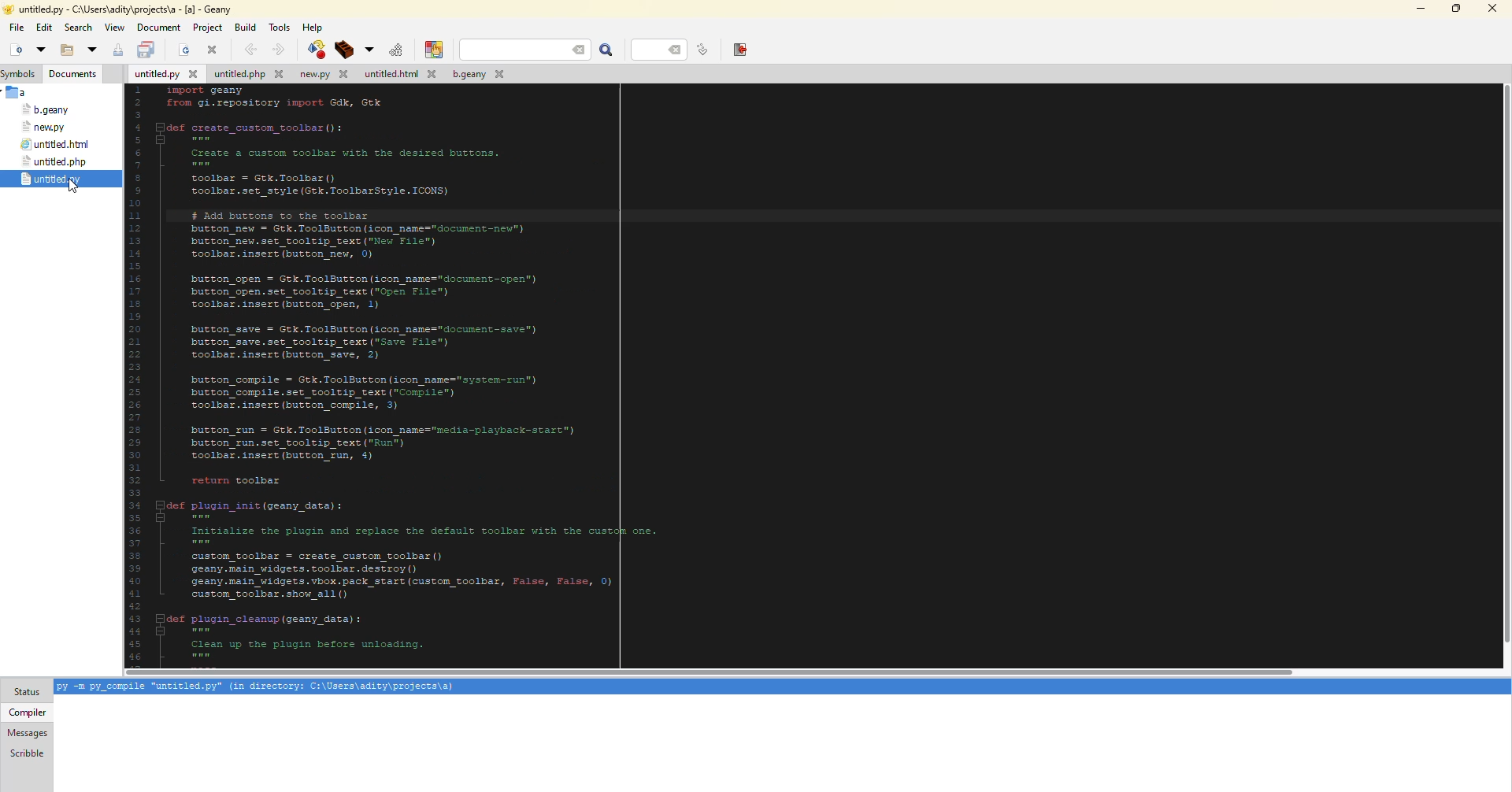 This screenshot has height=792, width=1512. Describe the element at coordinates (40, 50) in the screenshot. I see `open` at that location.